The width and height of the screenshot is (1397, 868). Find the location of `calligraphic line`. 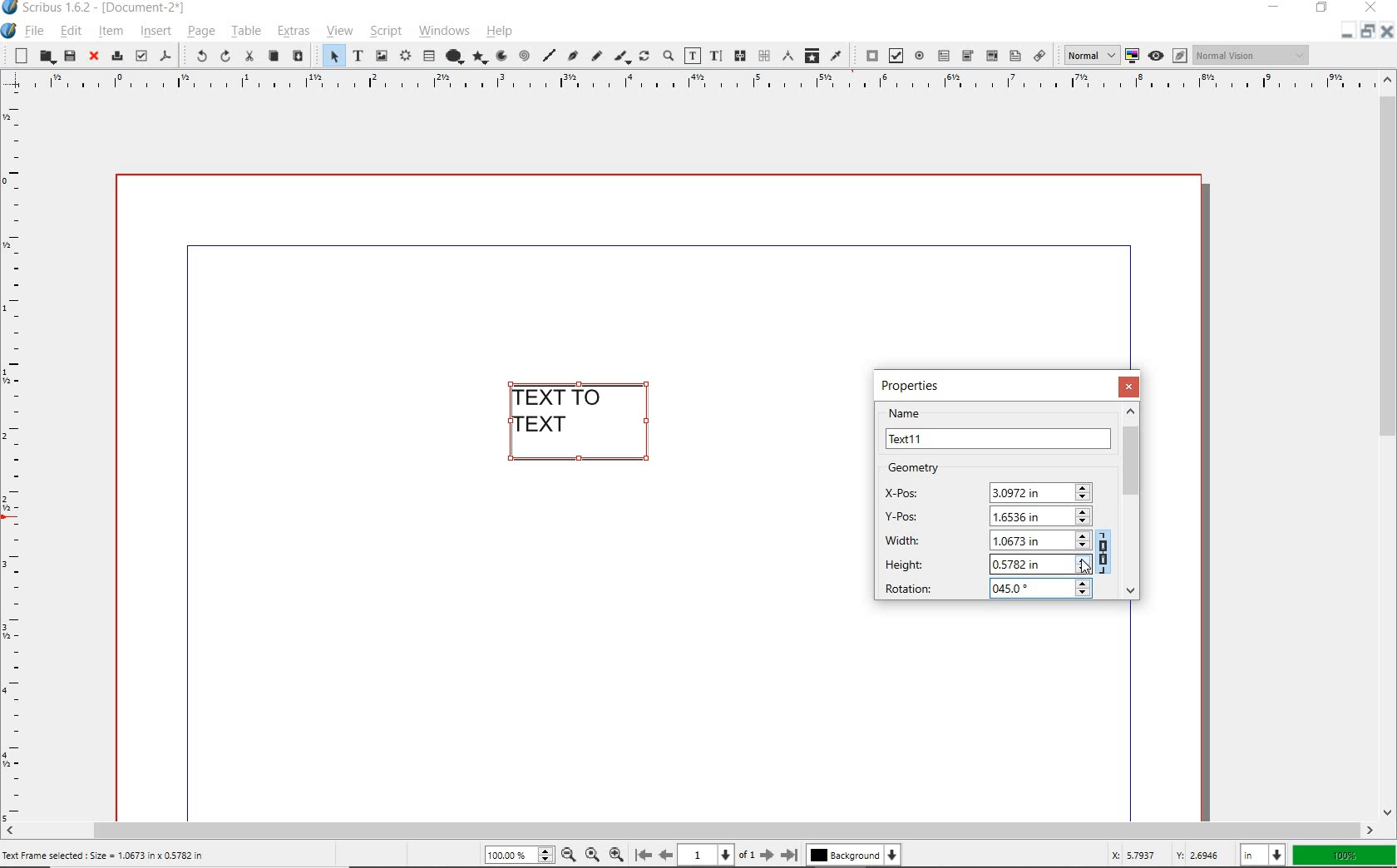

calligraphic line is located at coordinates (623, 56).